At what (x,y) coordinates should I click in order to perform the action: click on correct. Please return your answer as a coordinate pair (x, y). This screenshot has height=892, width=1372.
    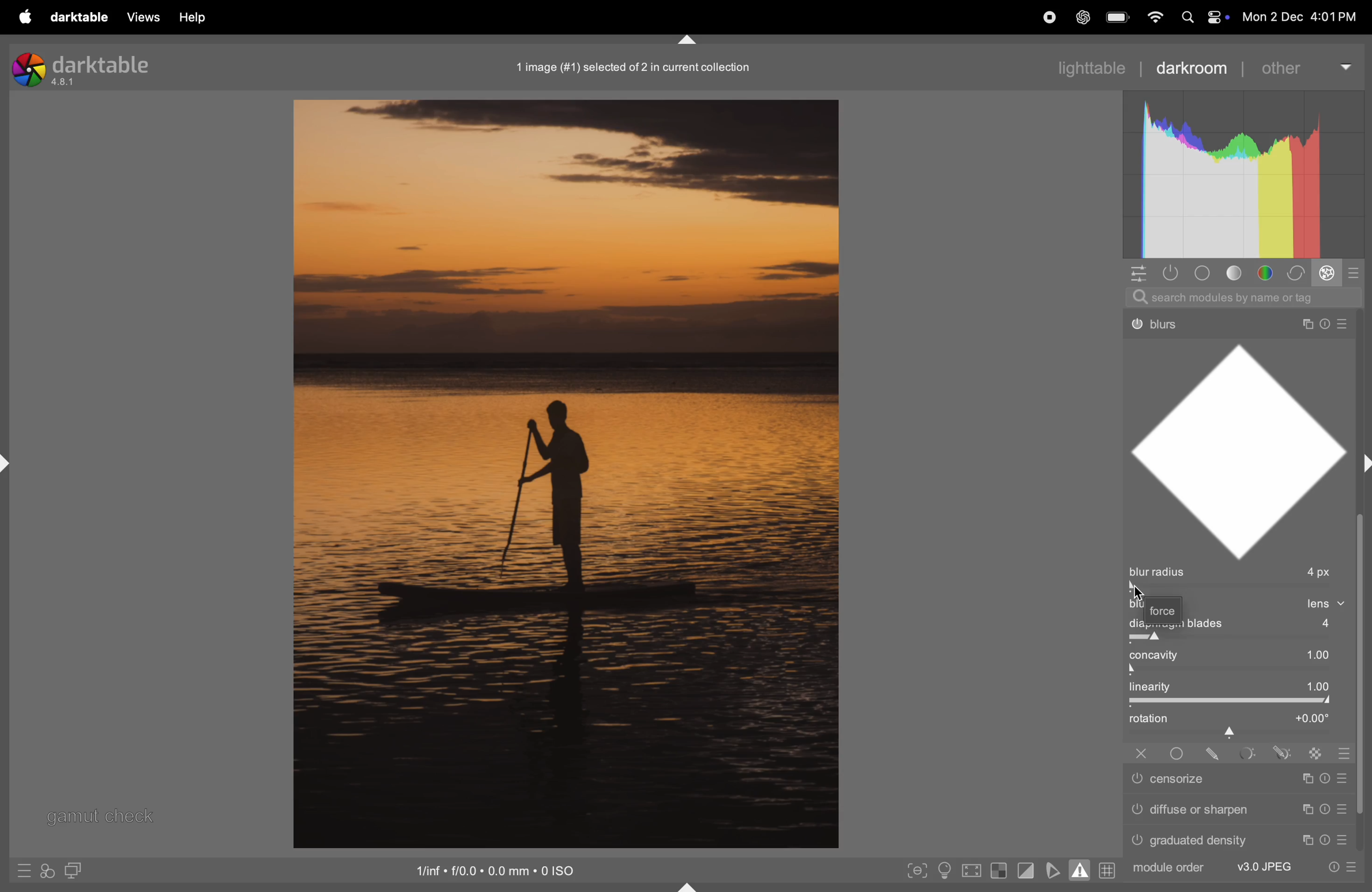
    Looking at the image, I should click on (1299, 273).